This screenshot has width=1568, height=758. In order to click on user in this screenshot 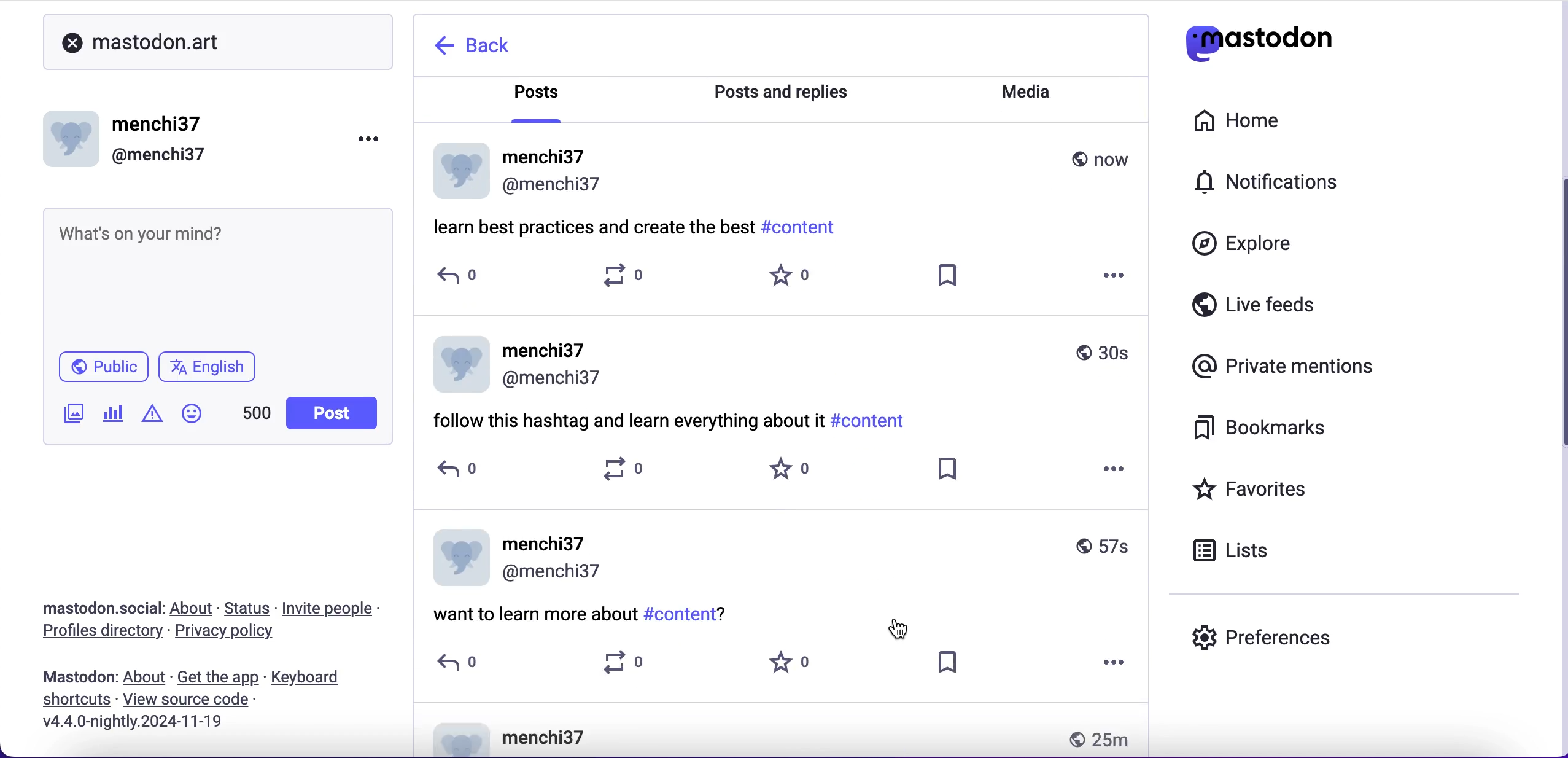, I will do `click(549, 363)`.